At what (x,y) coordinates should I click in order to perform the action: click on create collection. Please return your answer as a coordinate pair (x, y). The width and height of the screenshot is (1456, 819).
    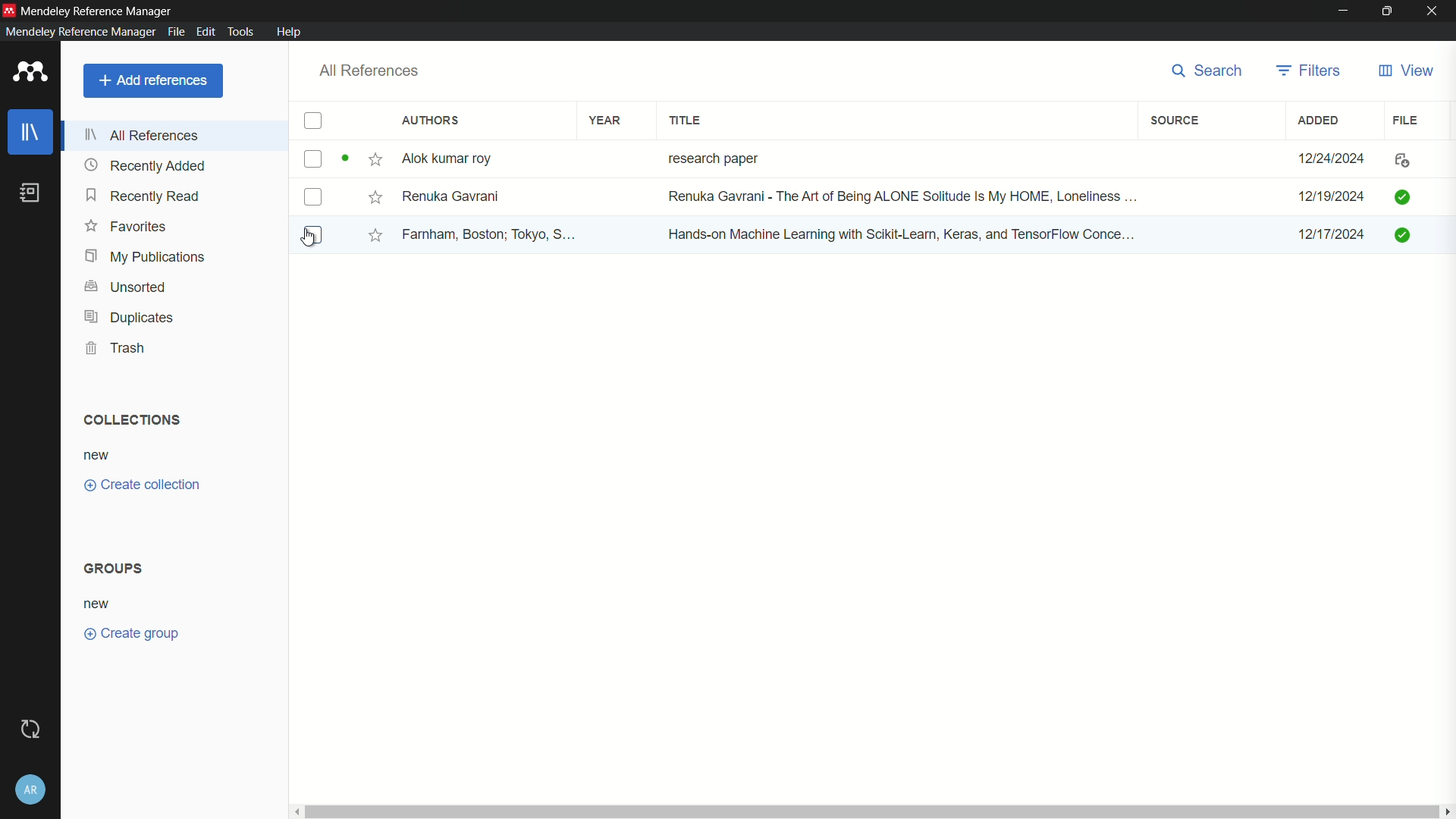
    Looking at the image, I should click on (140, 485).